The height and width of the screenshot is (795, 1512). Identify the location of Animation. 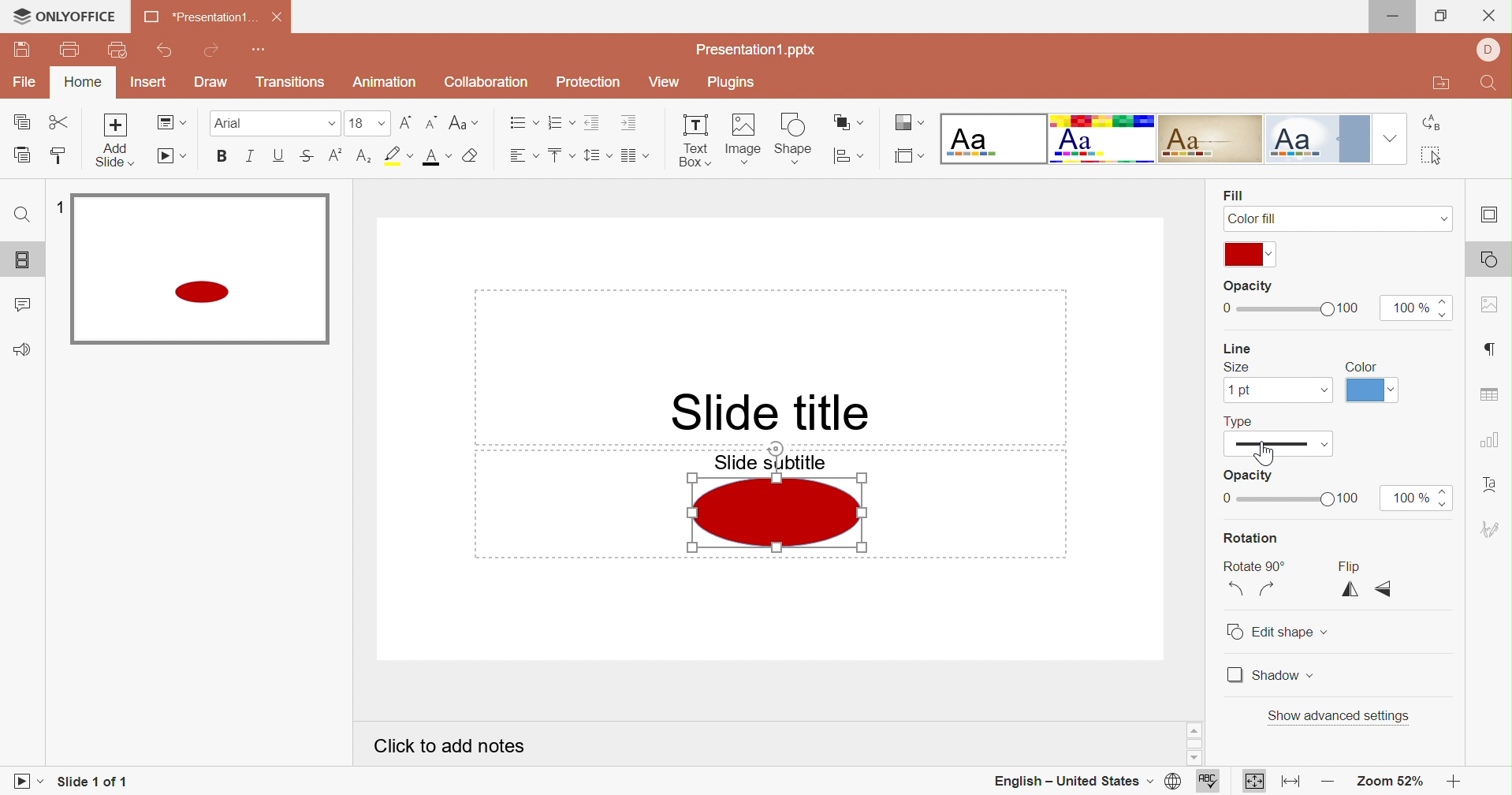
(386, 82).